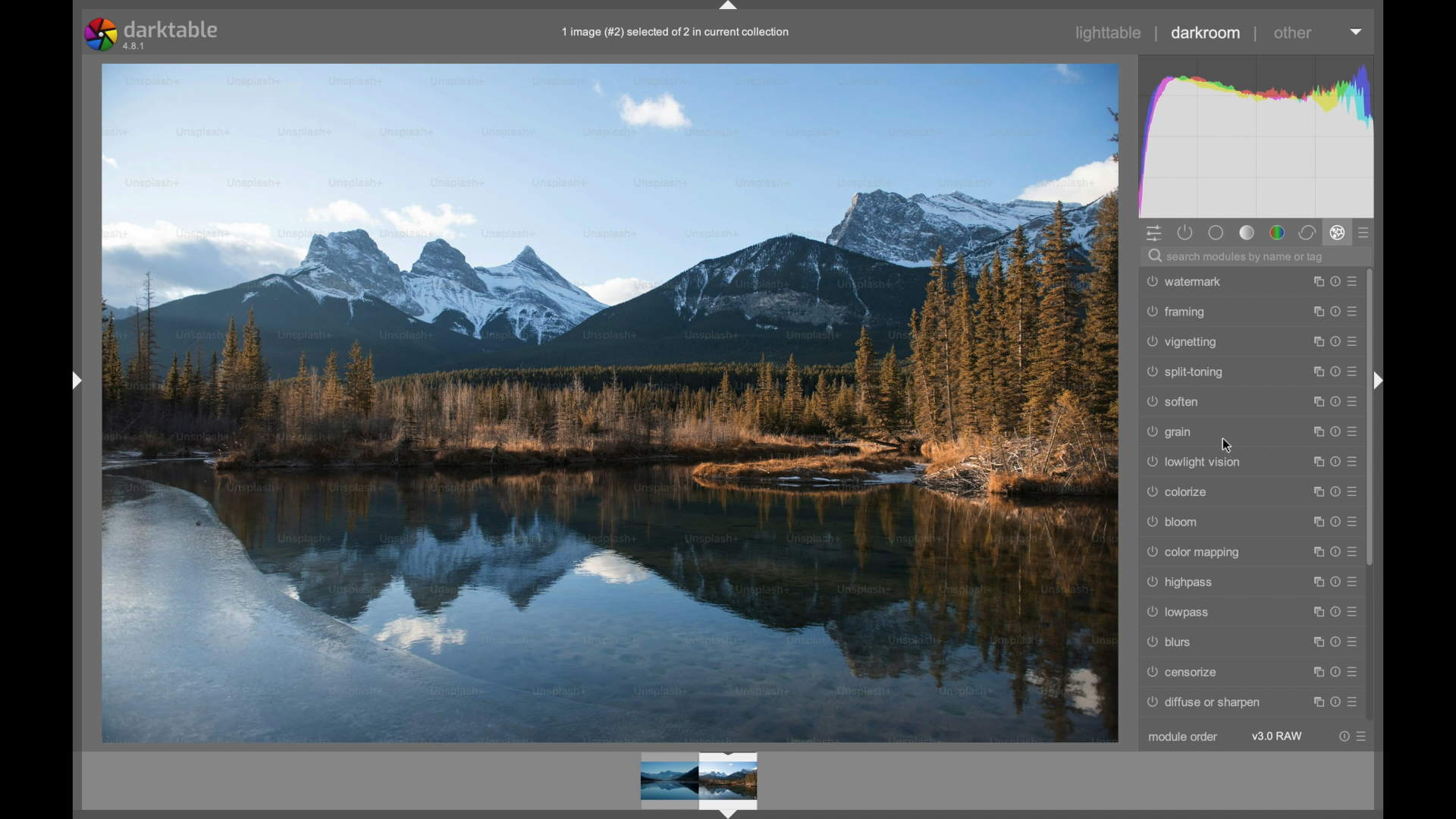  What do you see at coordinates (1277, 736) in the screenshot?
I see `v3.0 RAW` at bounding box center [1277, 736].